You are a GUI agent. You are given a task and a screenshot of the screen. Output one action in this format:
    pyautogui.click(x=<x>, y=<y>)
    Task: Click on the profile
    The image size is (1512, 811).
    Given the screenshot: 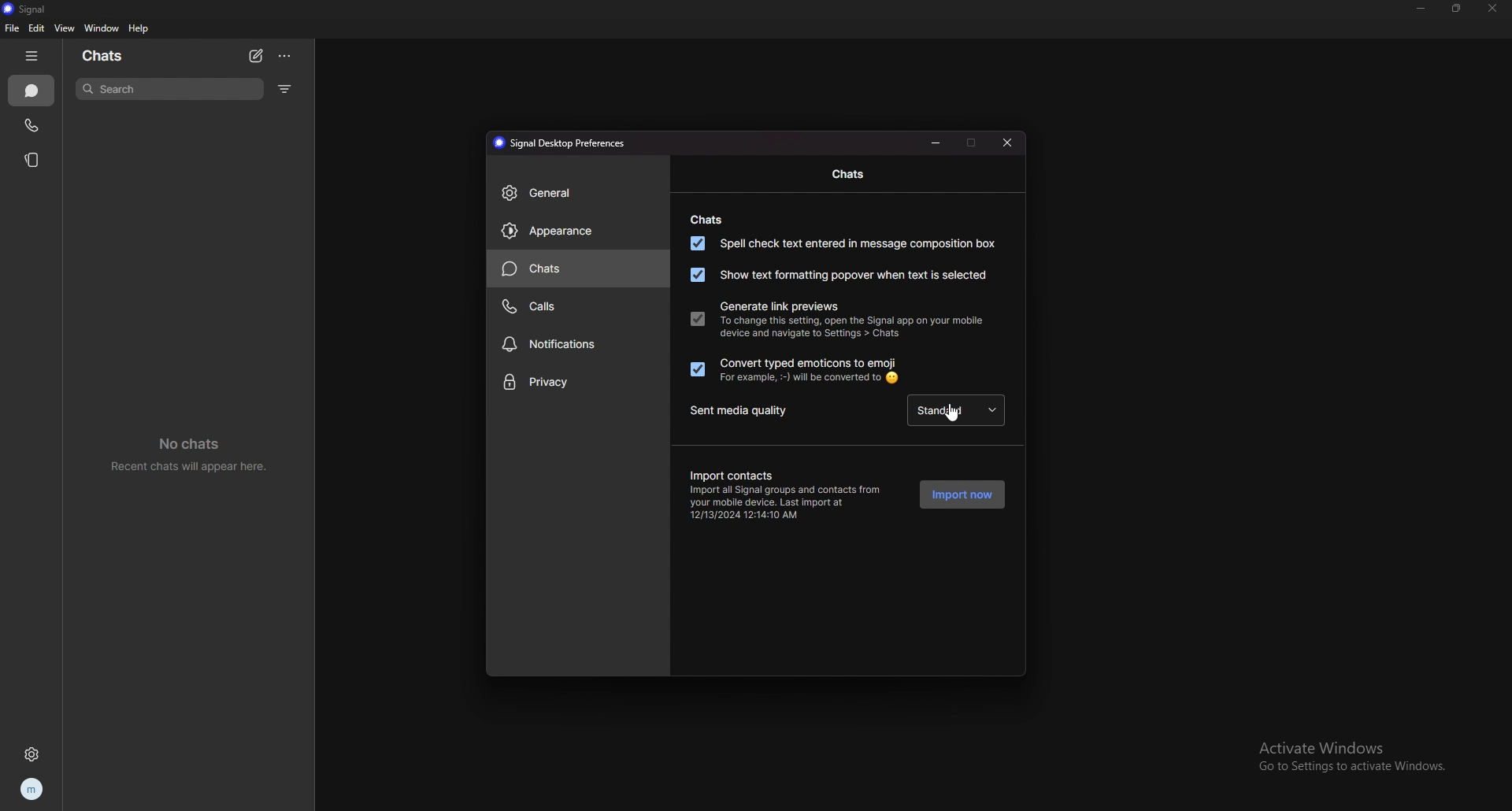 What is the action you would take?
    pyautogui.click(x=34, y=789)
    